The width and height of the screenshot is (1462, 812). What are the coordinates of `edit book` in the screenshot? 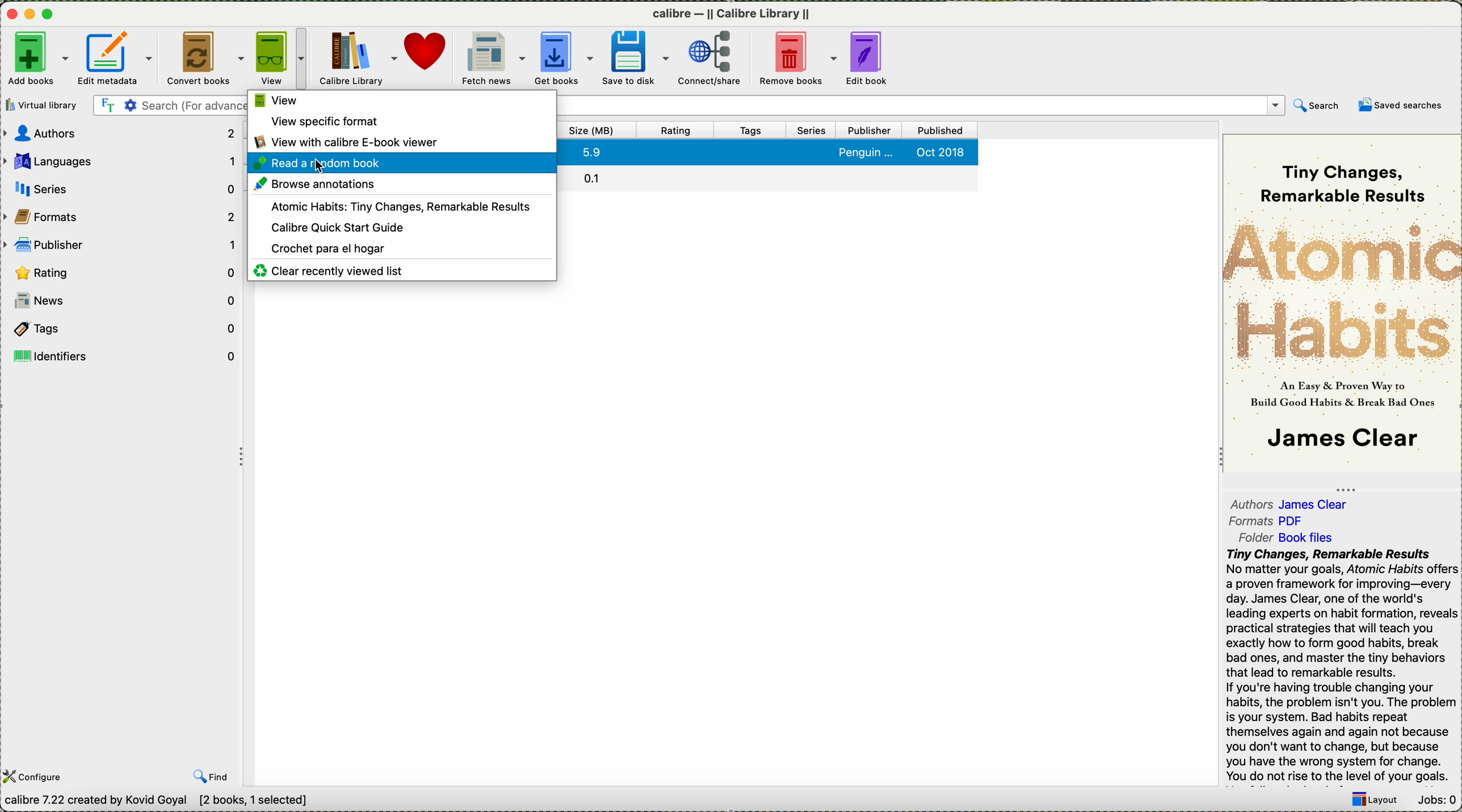 It's located at (869, 60).